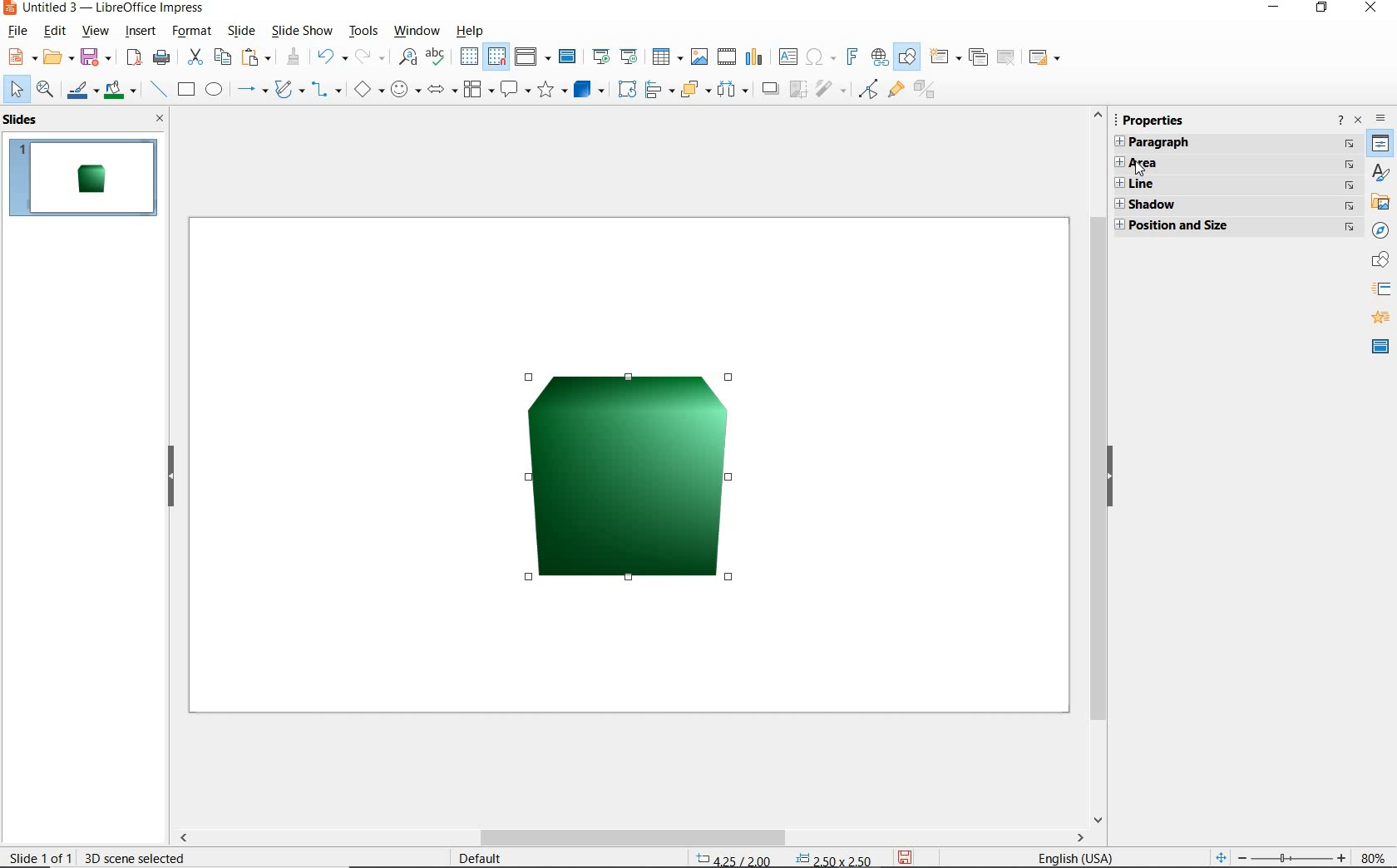 The image size is (1397, 868). What do you see at coordinates (1382, 293) in the screenshot?
I see `SSLIDE TRANSITION` at bounding box center [1382, 293].